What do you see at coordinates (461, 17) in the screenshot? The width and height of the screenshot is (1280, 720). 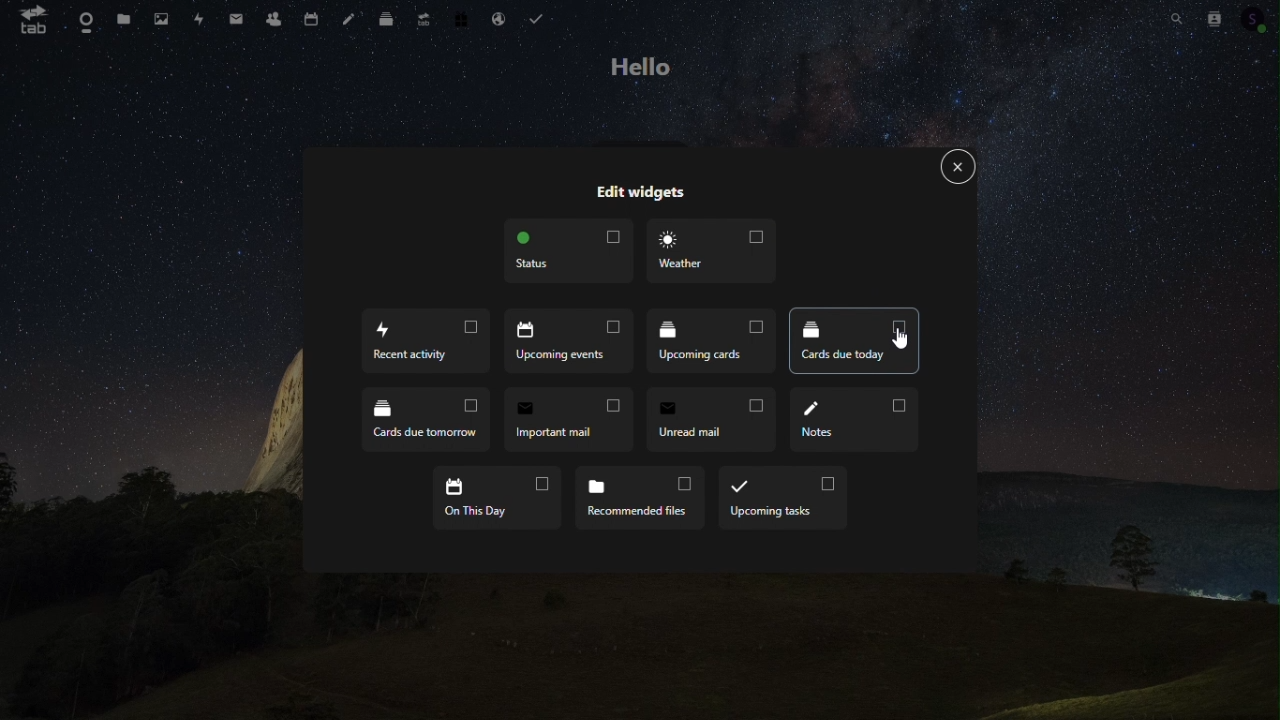 I see `Free trial` at bounding box center [461, 17].